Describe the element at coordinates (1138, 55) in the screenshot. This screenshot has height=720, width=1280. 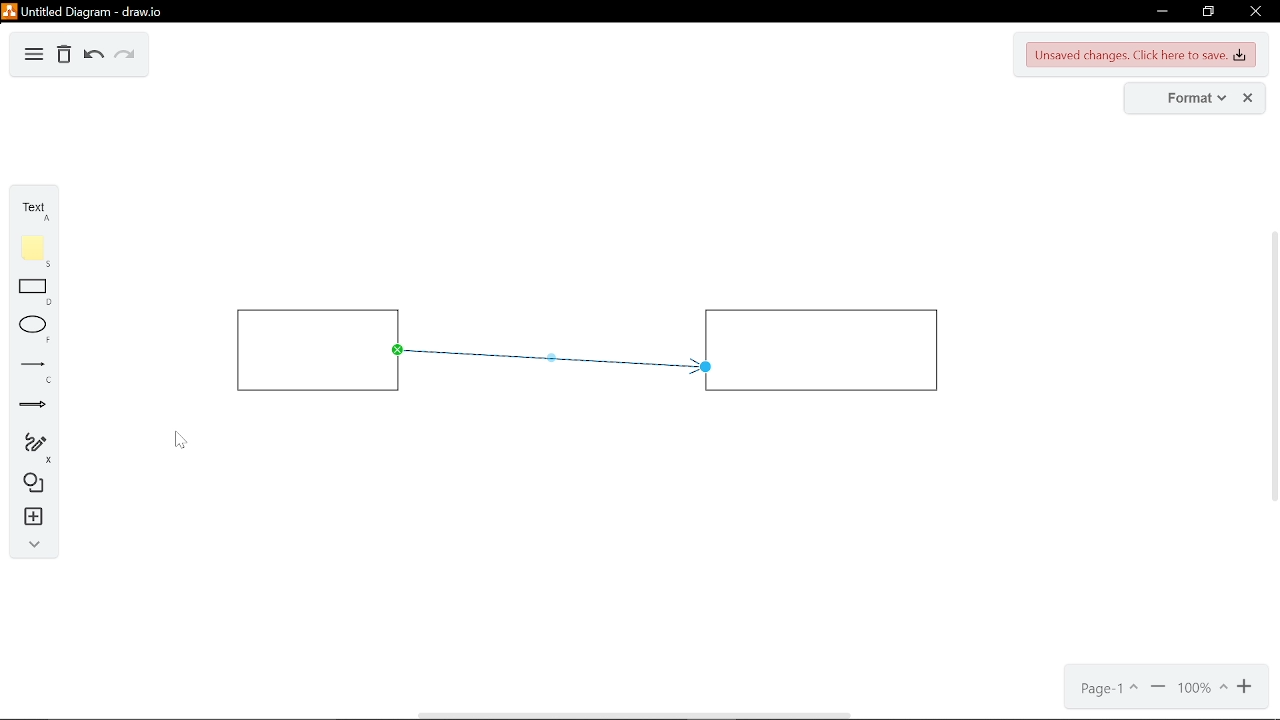
I see `unsaved changes. CLick here to save` at that location.